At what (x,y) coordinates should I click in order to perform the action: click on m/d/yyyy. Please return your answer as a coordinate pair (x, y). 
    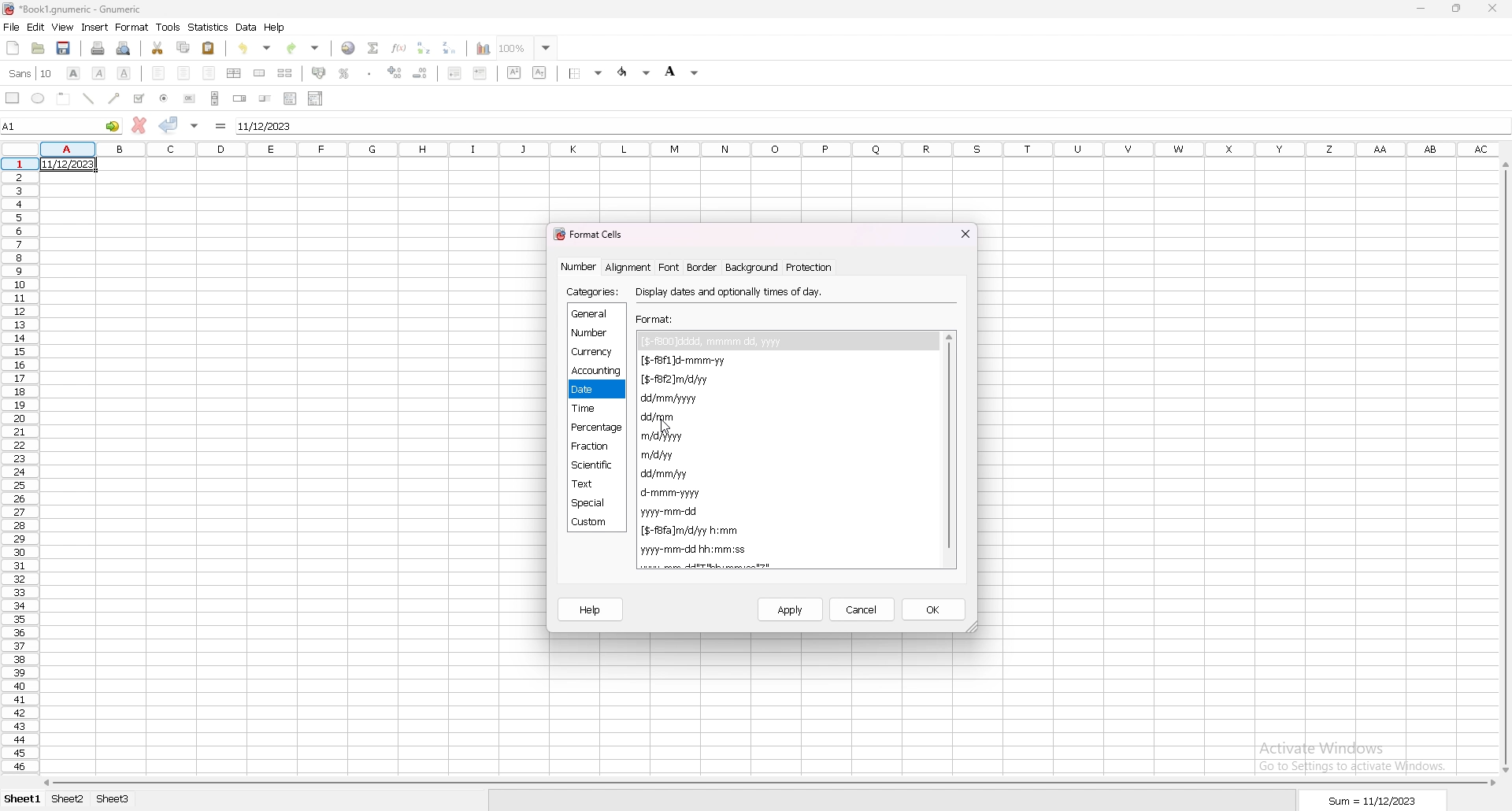
    Looking at the image, I should click on (661, 436).